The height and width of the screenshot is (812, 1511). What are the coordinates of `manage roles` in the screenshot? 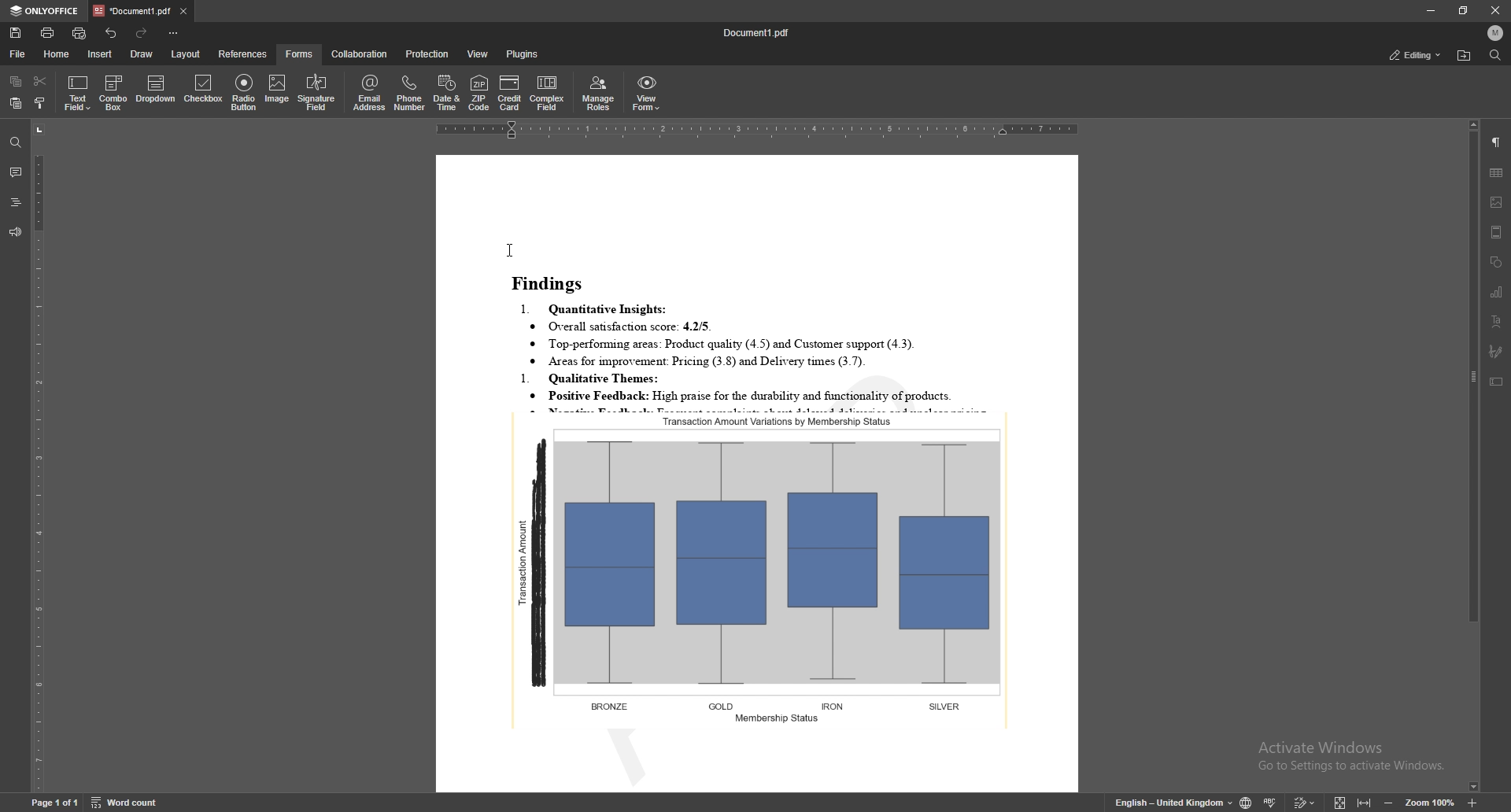 It's located at (599, 94).